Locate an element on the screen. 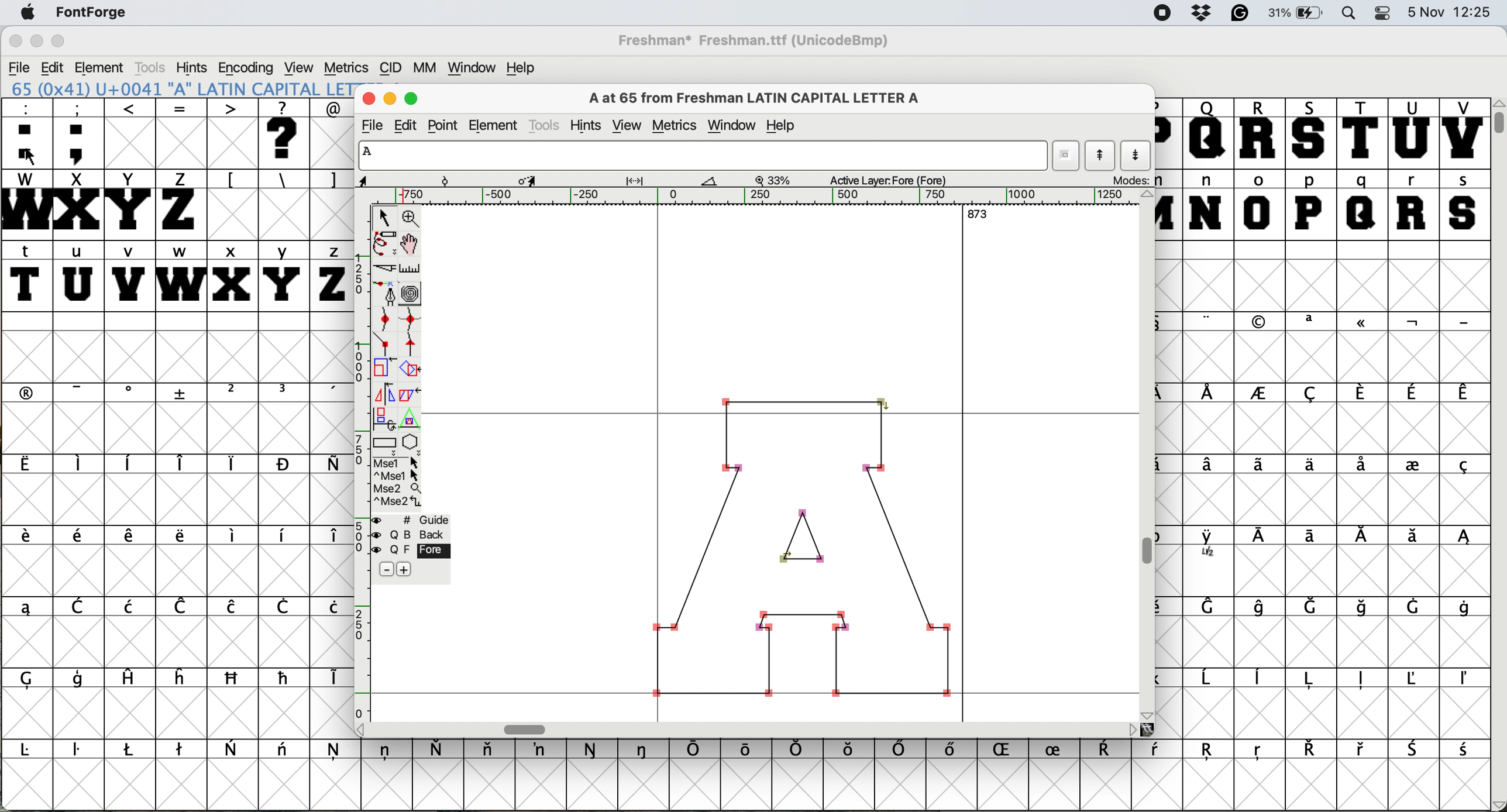  symbol is located at coordinates (441, 748).